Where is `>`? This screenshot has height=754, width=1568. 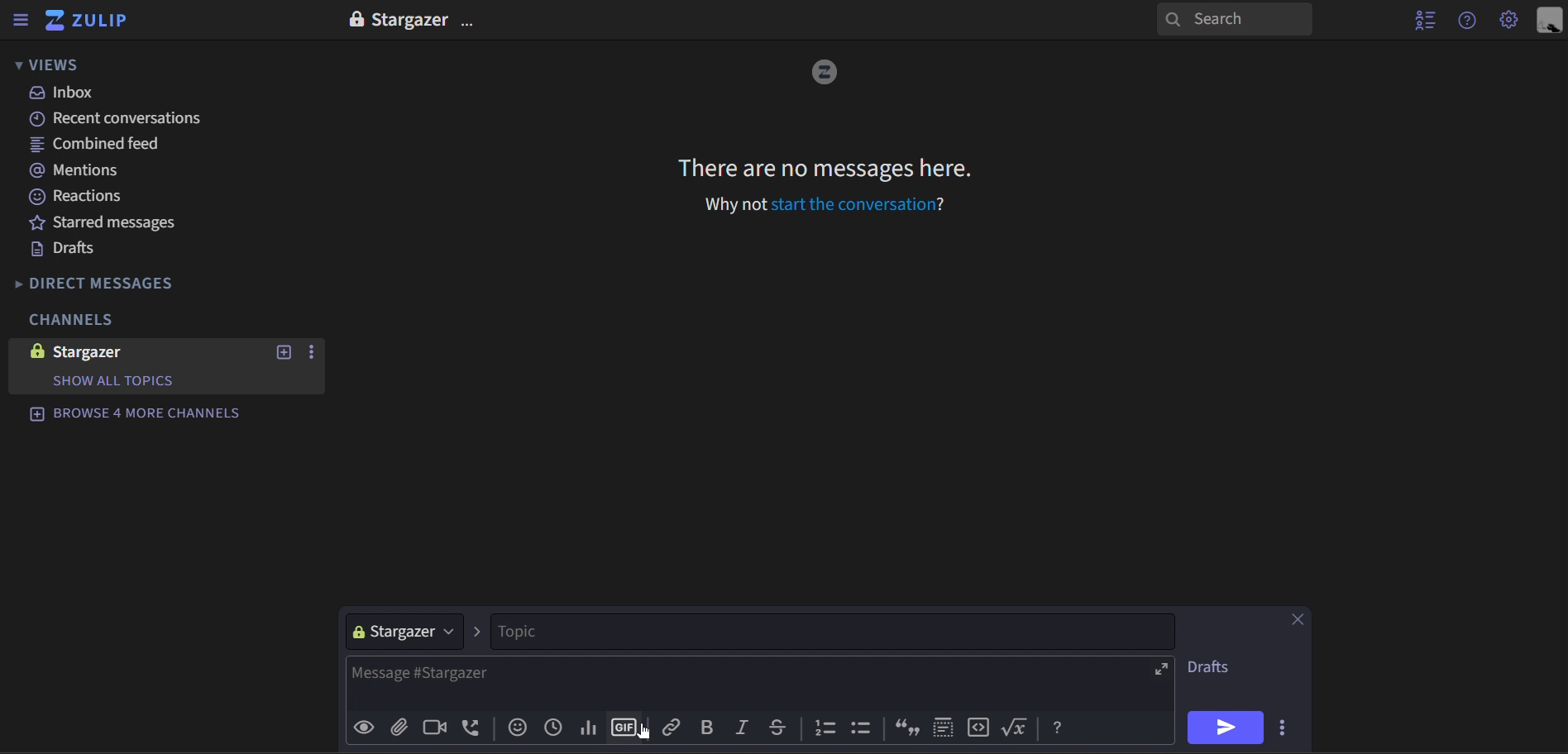
> is located at coordinates (480, 631).